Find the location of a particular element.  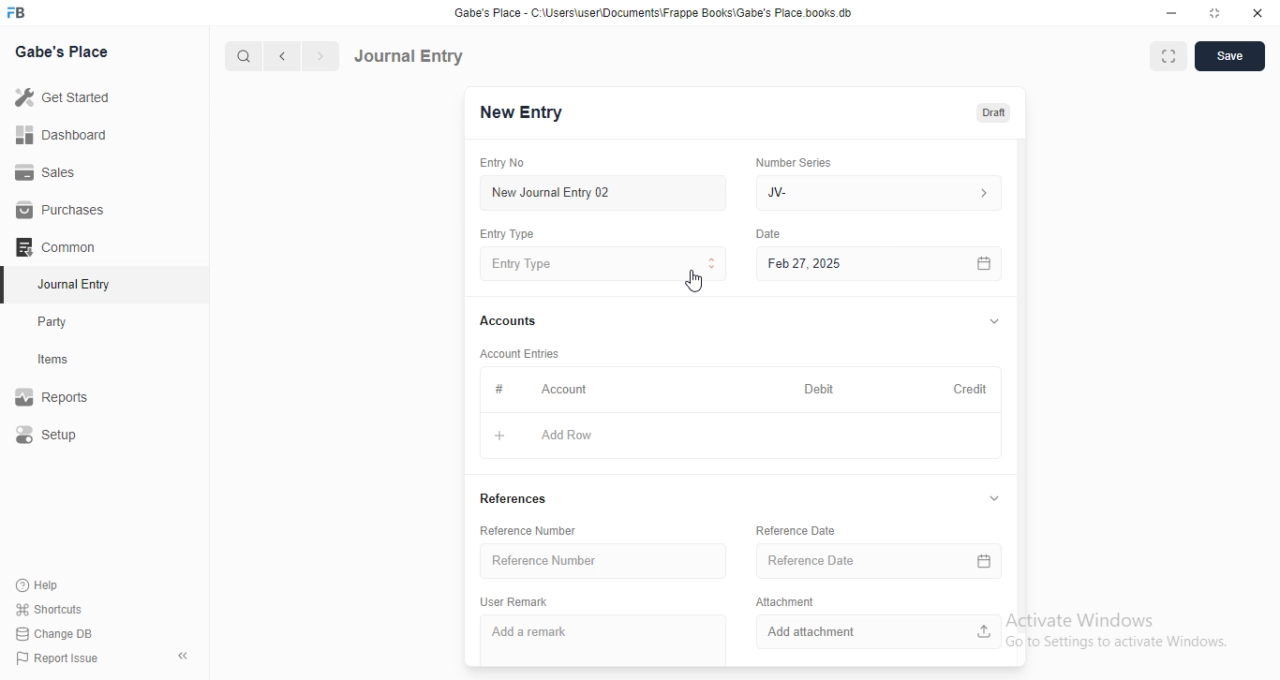

‘Attachment is located at coordinates (787, 601).